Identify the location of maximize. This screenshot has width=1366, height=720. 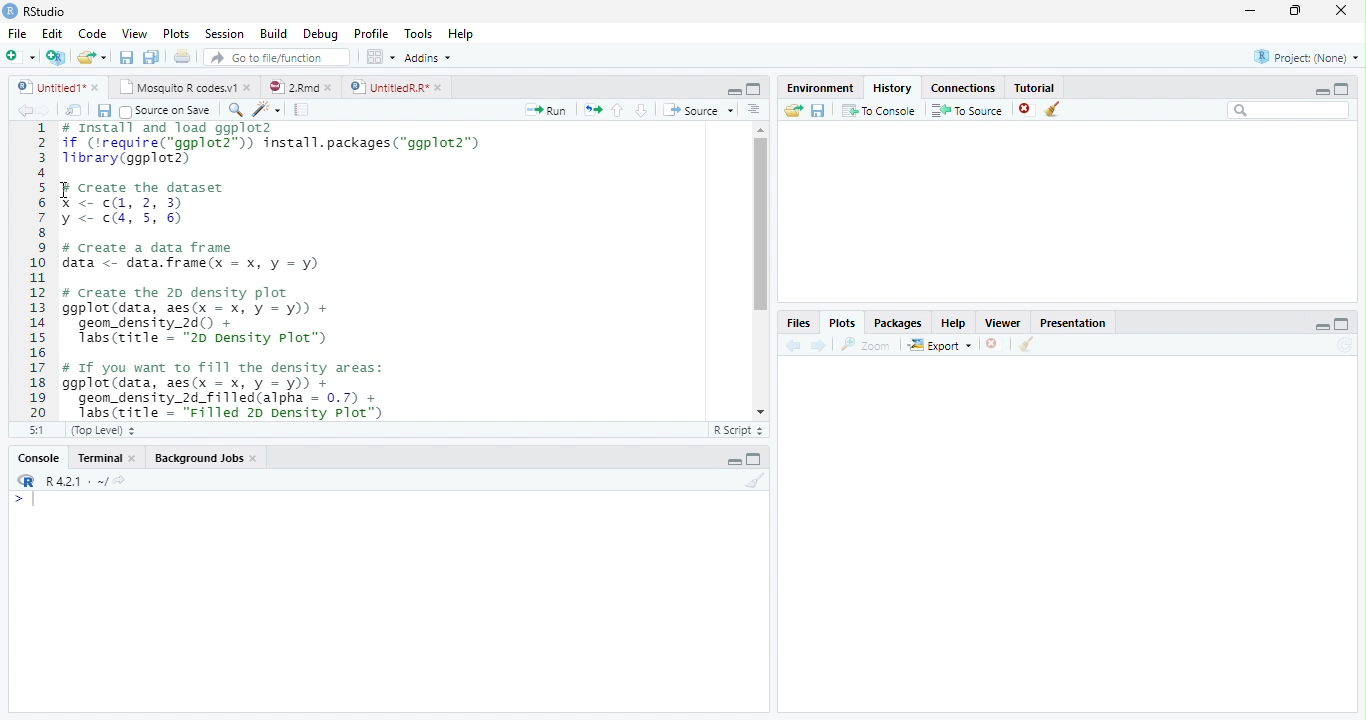
(1344, 323).